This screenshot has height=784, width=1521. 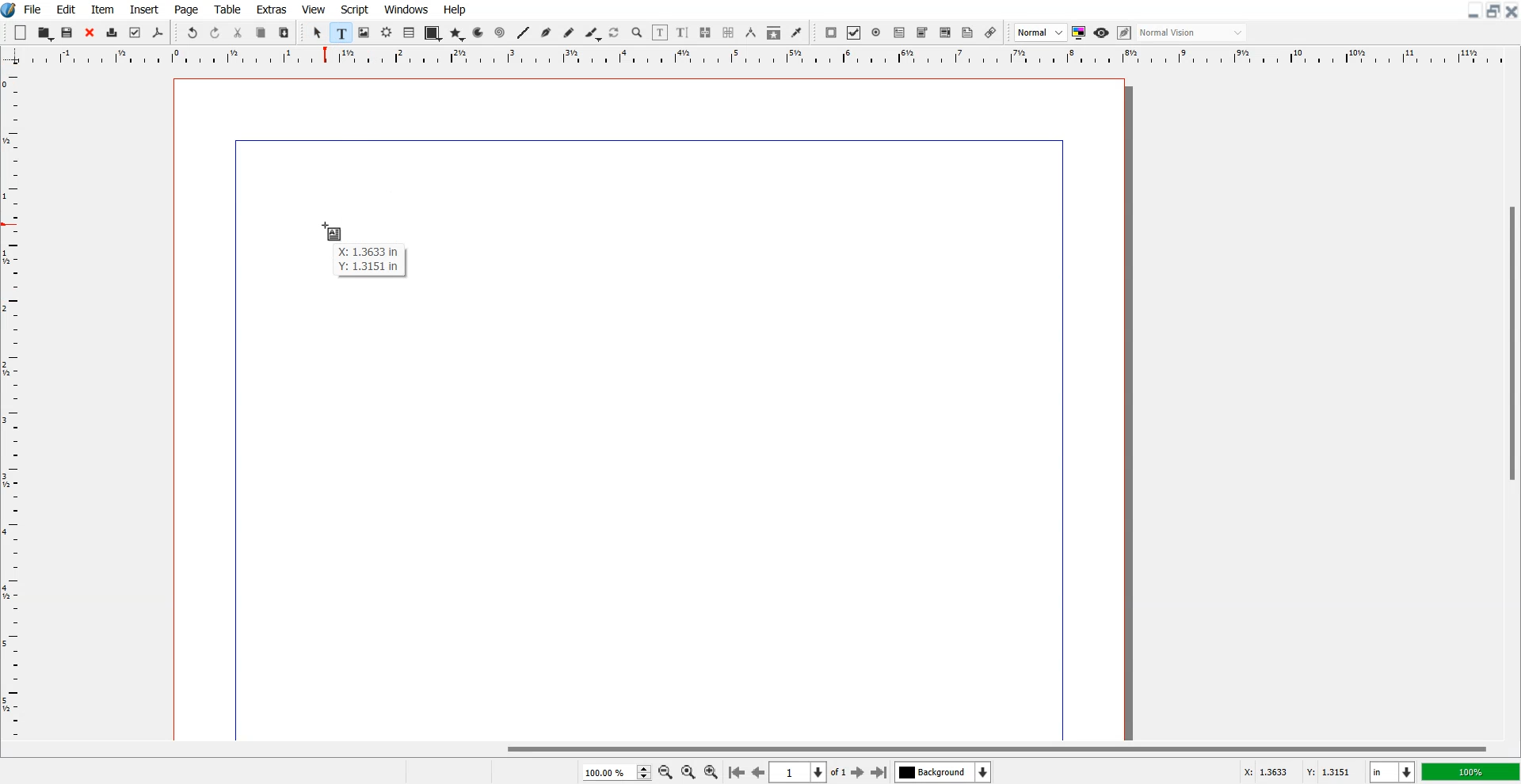 I want to click on Rotate Item, so click(x=616, y=33).